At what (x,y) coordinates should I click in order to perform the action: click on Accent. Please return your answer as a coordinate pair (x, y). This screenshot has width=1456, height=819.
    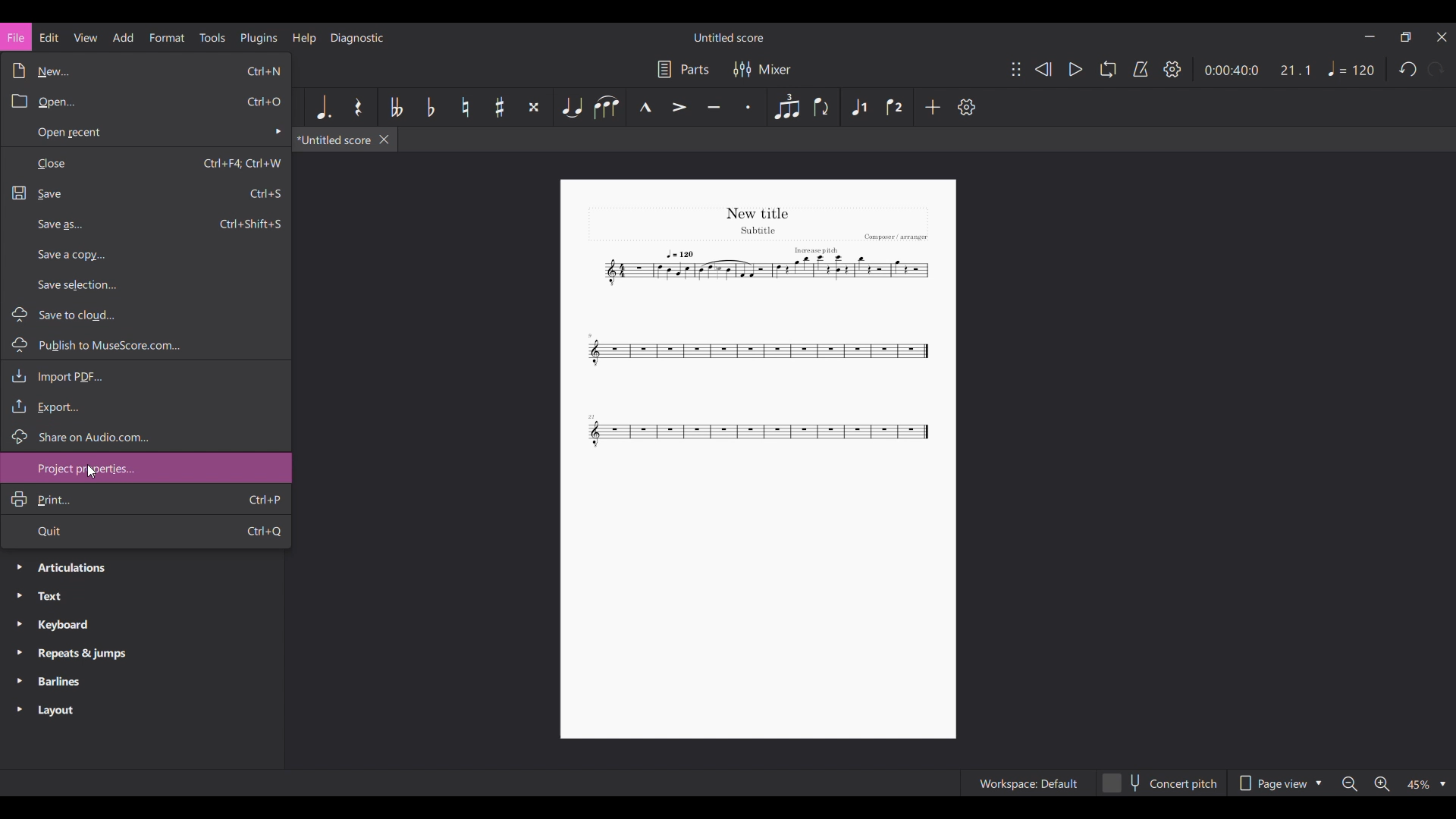
    Looking at the image, I should click on (679, 107).